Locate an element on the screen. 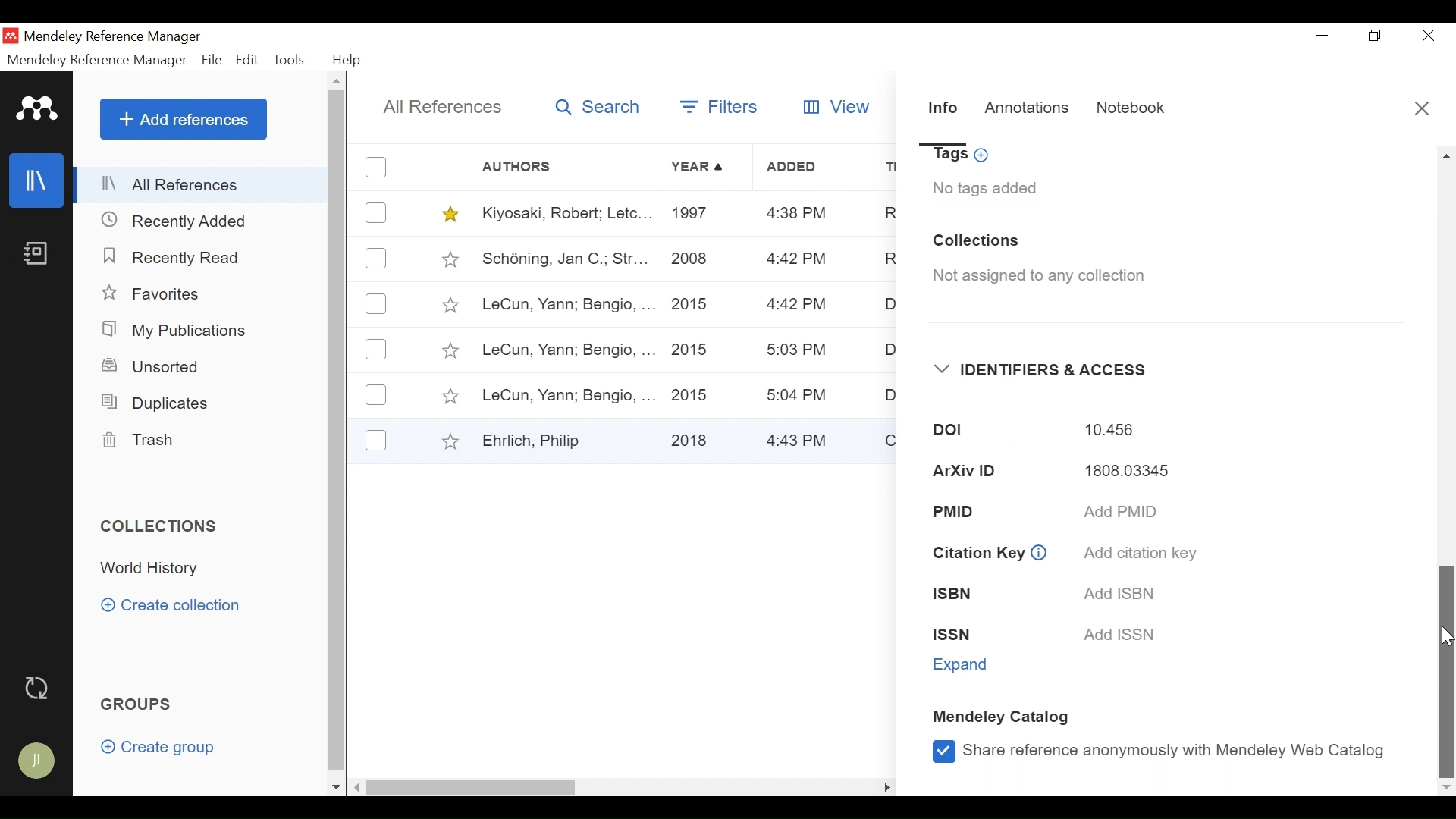 The width and height of the screenshot is (1456, 819). Not assigned to any collection is located at coordinates (1033, 277).